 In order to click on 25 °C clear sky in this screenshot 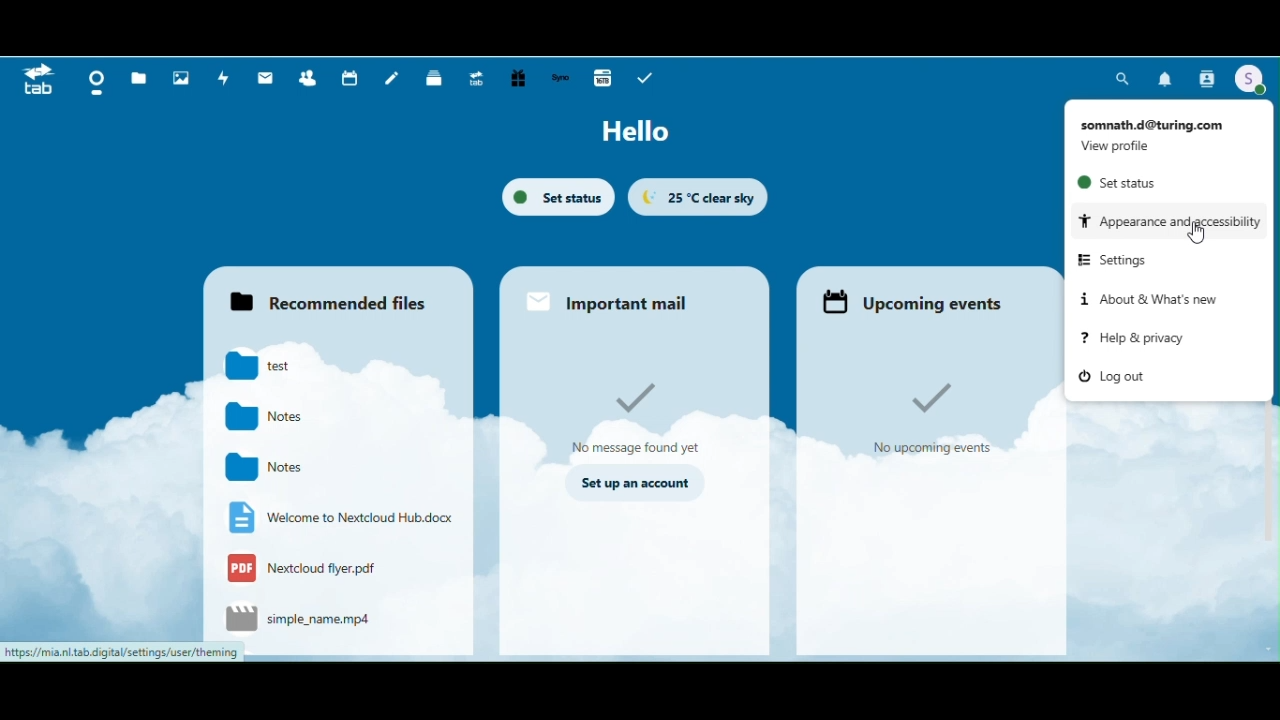, I will do `click(698, 197)`.